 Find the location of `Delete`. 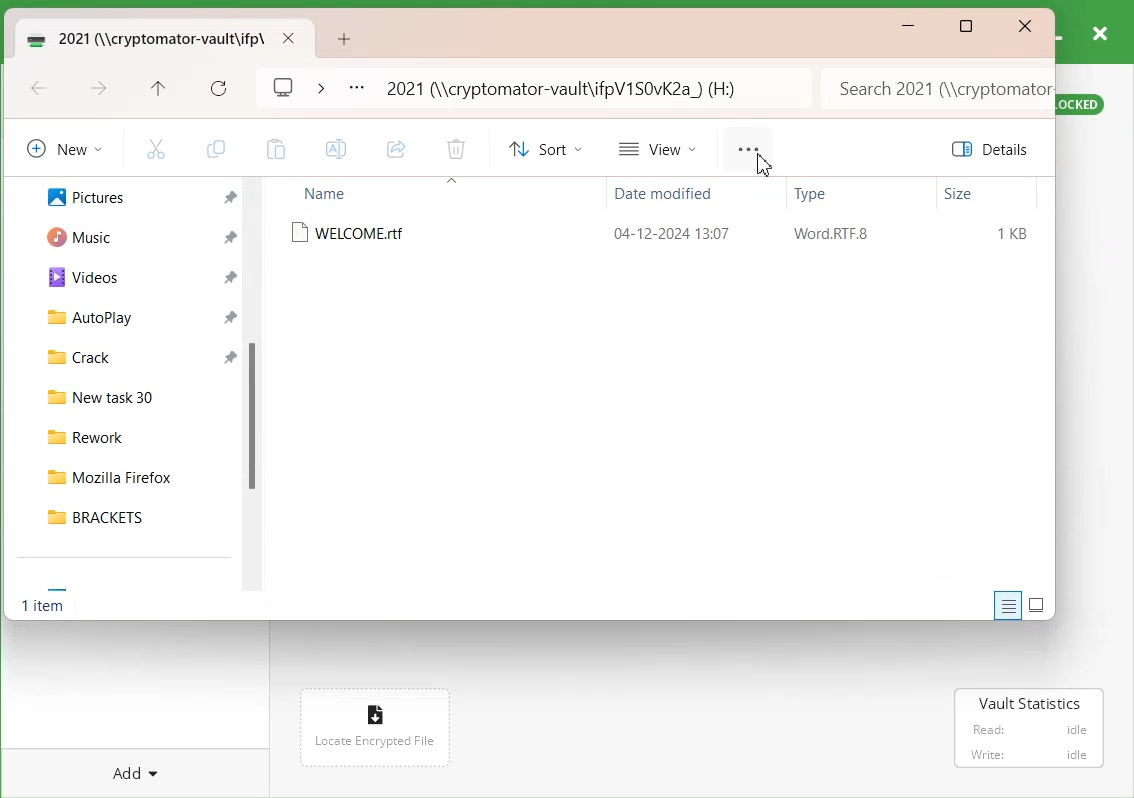

Delete is located at coordinates (455, 151).